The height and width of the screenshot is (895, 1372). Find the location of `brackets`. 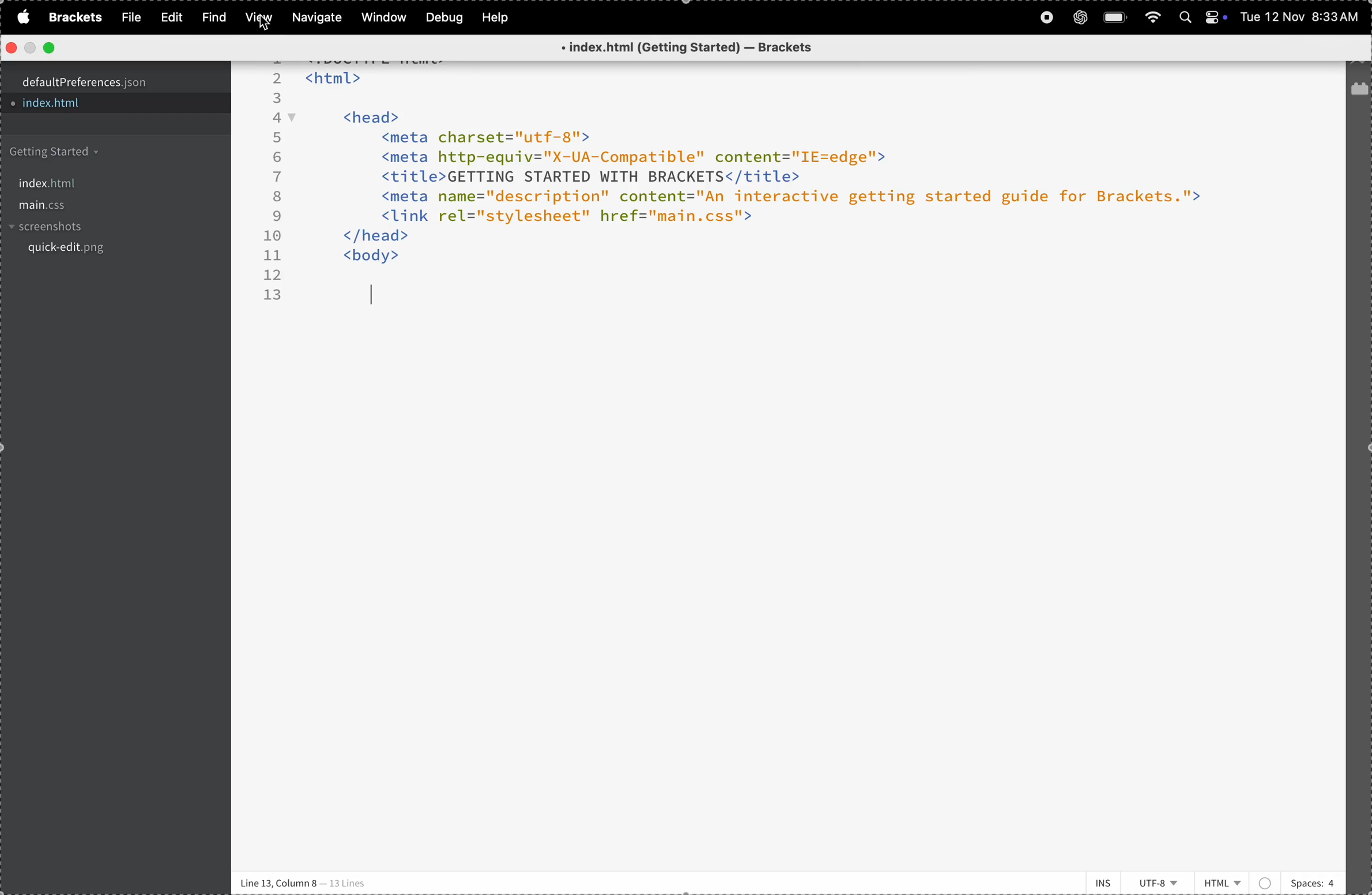

brackets is located at coordinates (72, 17).